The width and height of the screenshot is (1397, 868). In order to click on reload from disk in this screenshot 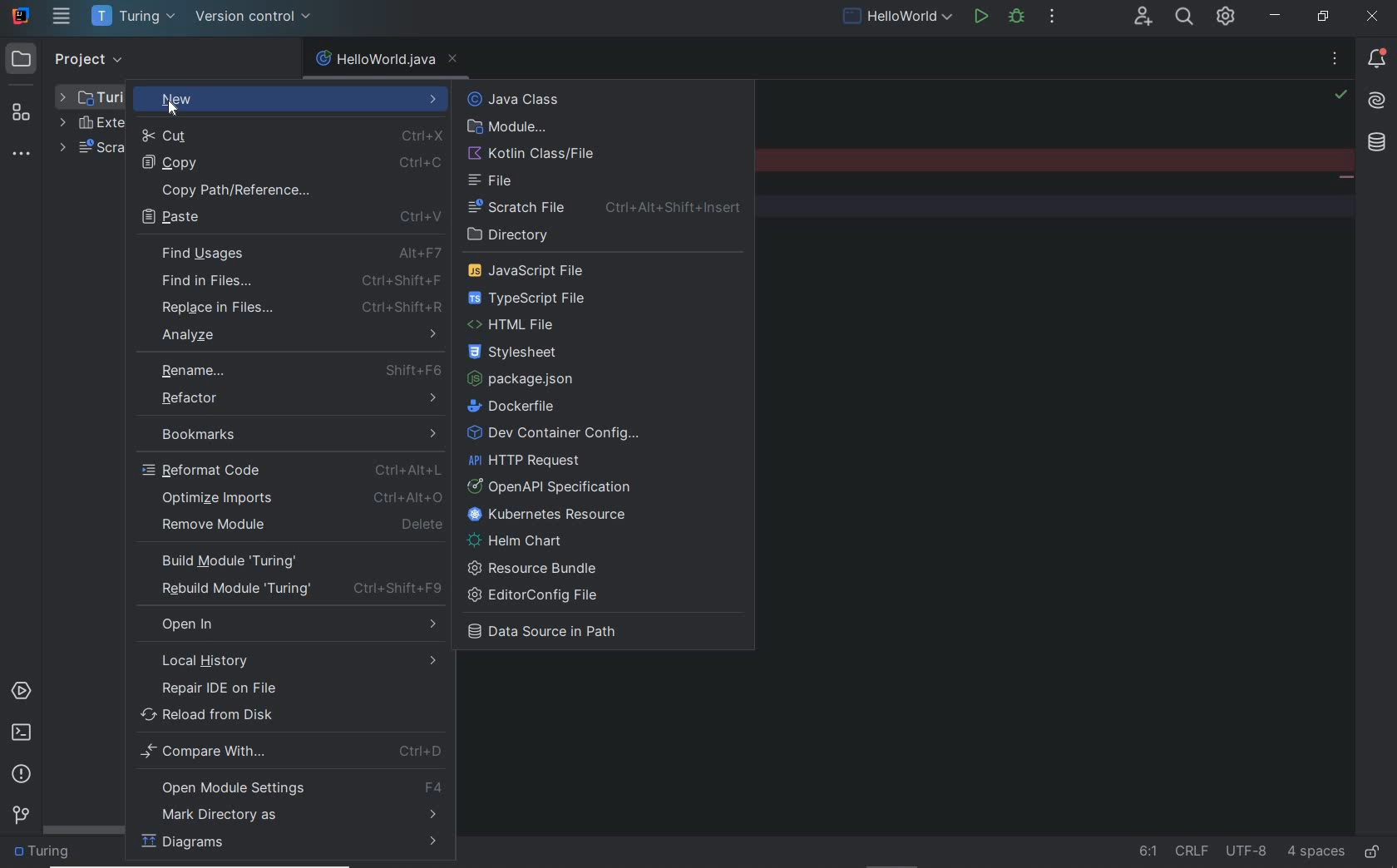, I will do `click(290, 716)`.